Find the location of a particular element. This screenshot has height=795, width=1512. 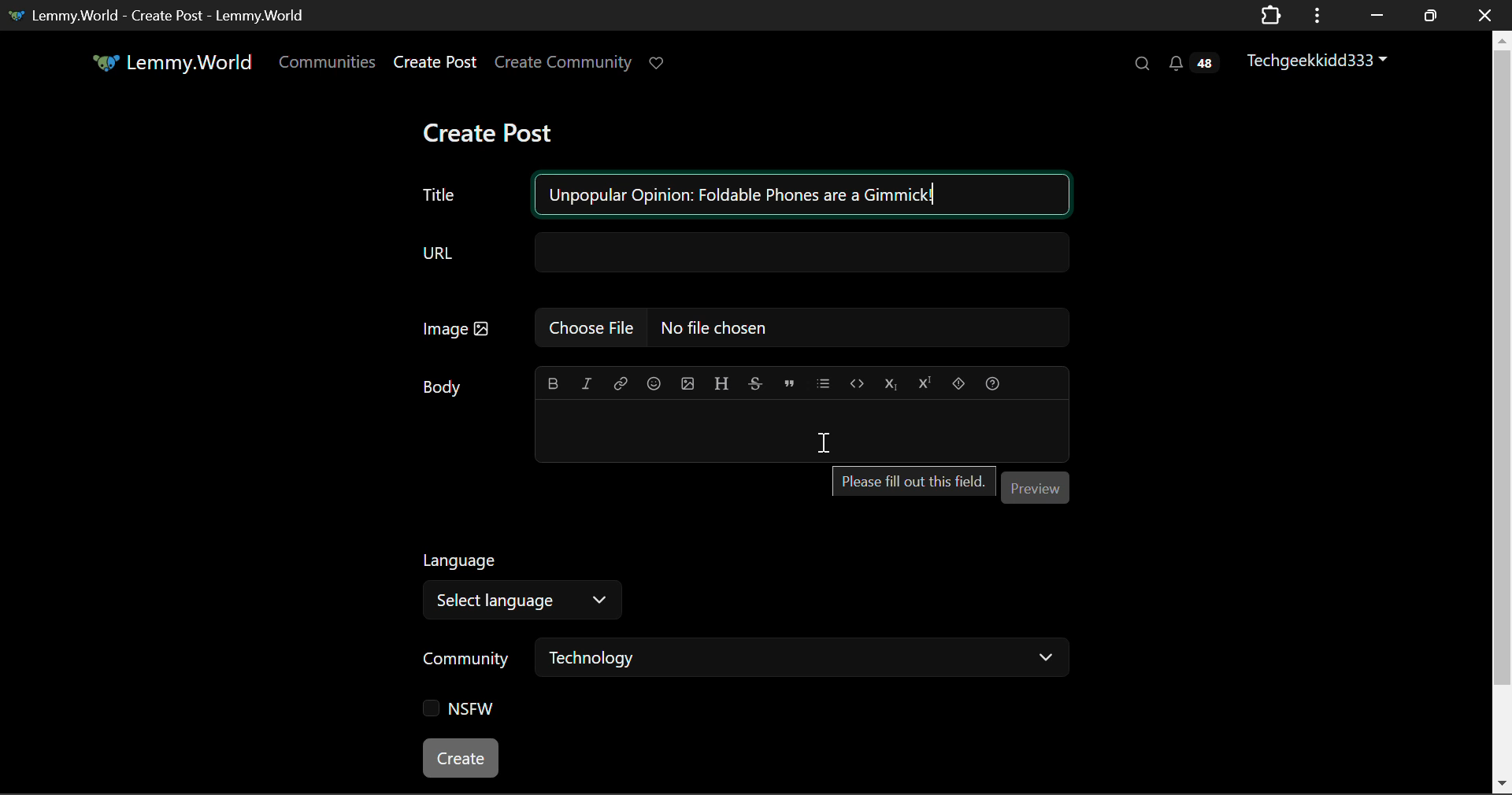

Communities is located at coordinates (328, 65).